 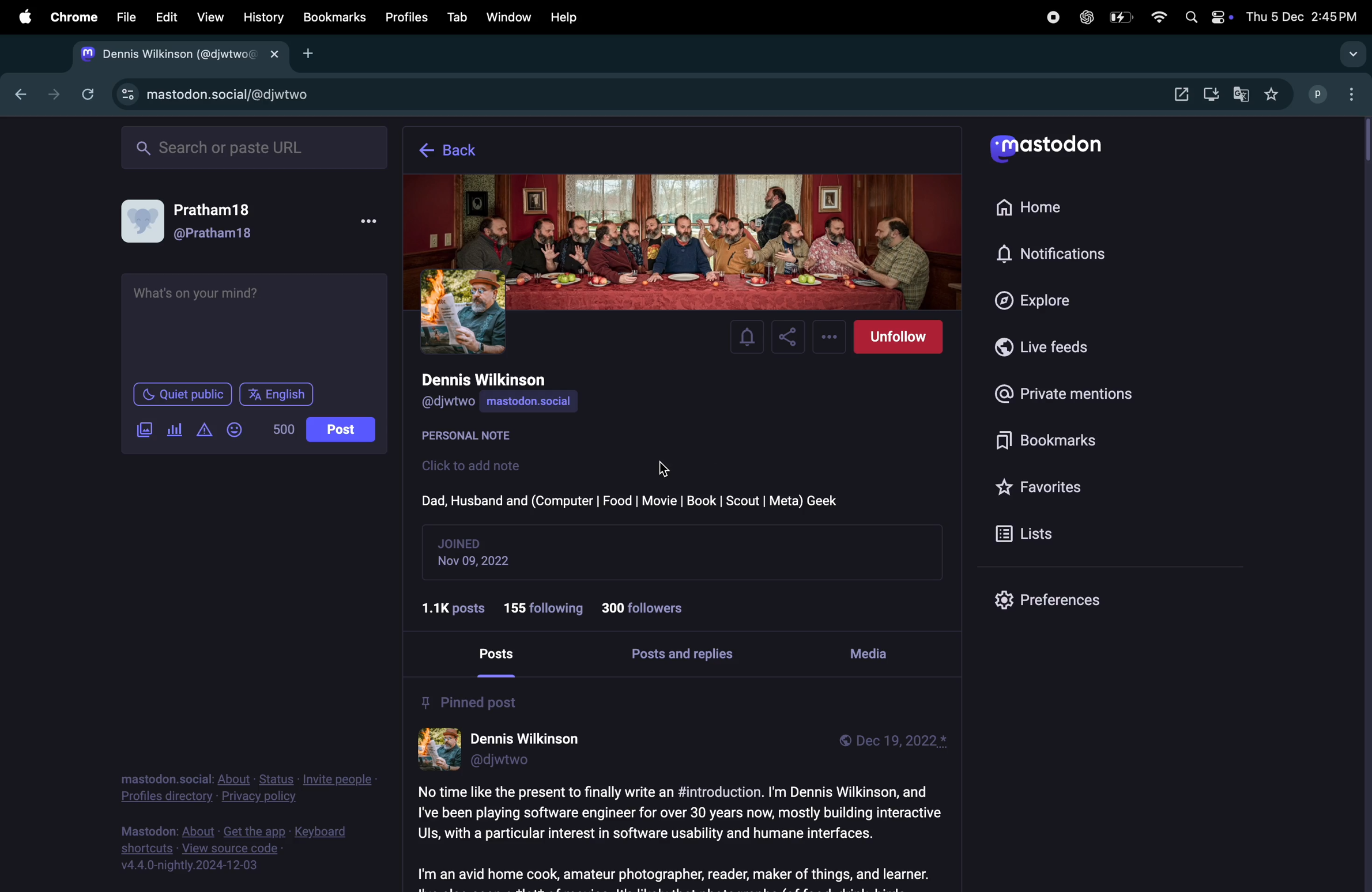 What do you see at coordinates (142, 429) in the screenshot?
I see `add images` at bounding box center [142, 429].